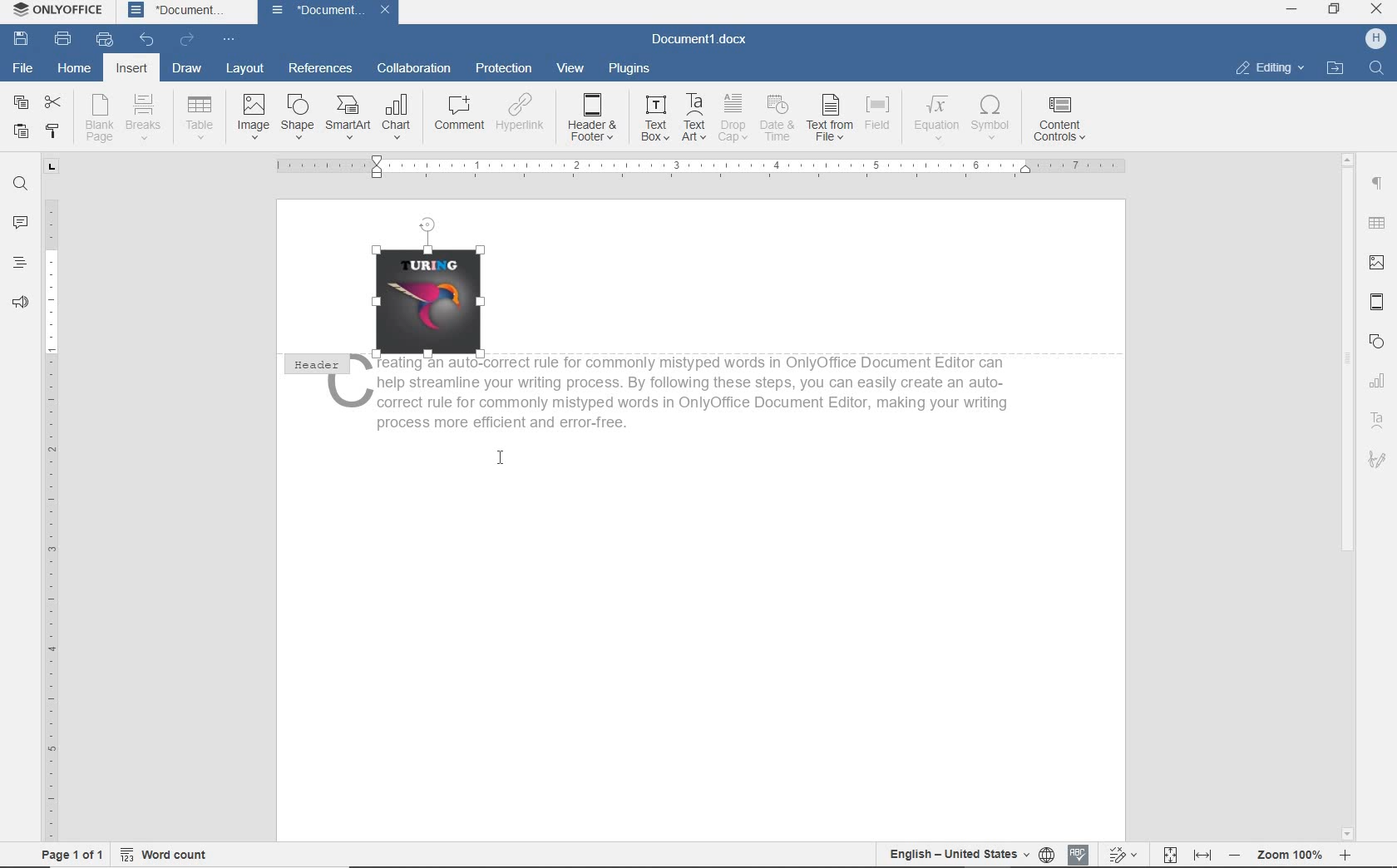  I want to click on SAVE, so click(23, 38).